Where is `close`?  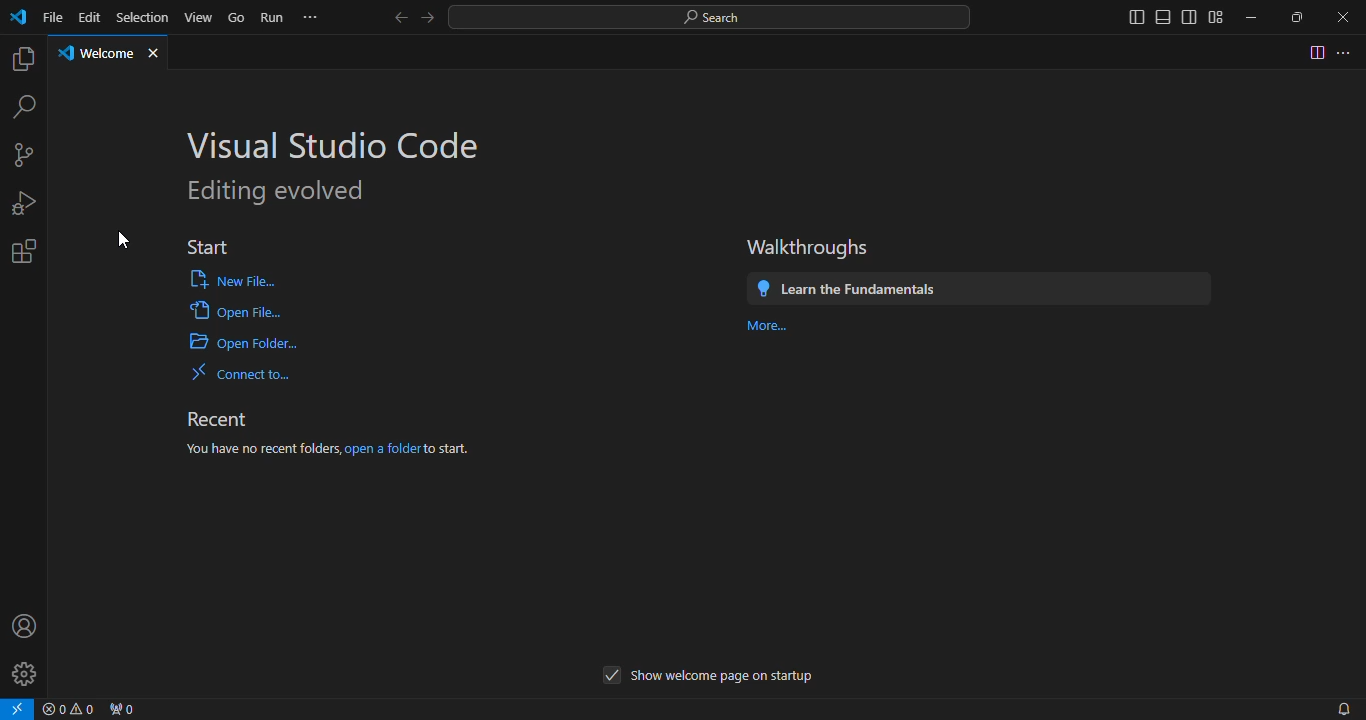 close is located at coordinates (161, 57).